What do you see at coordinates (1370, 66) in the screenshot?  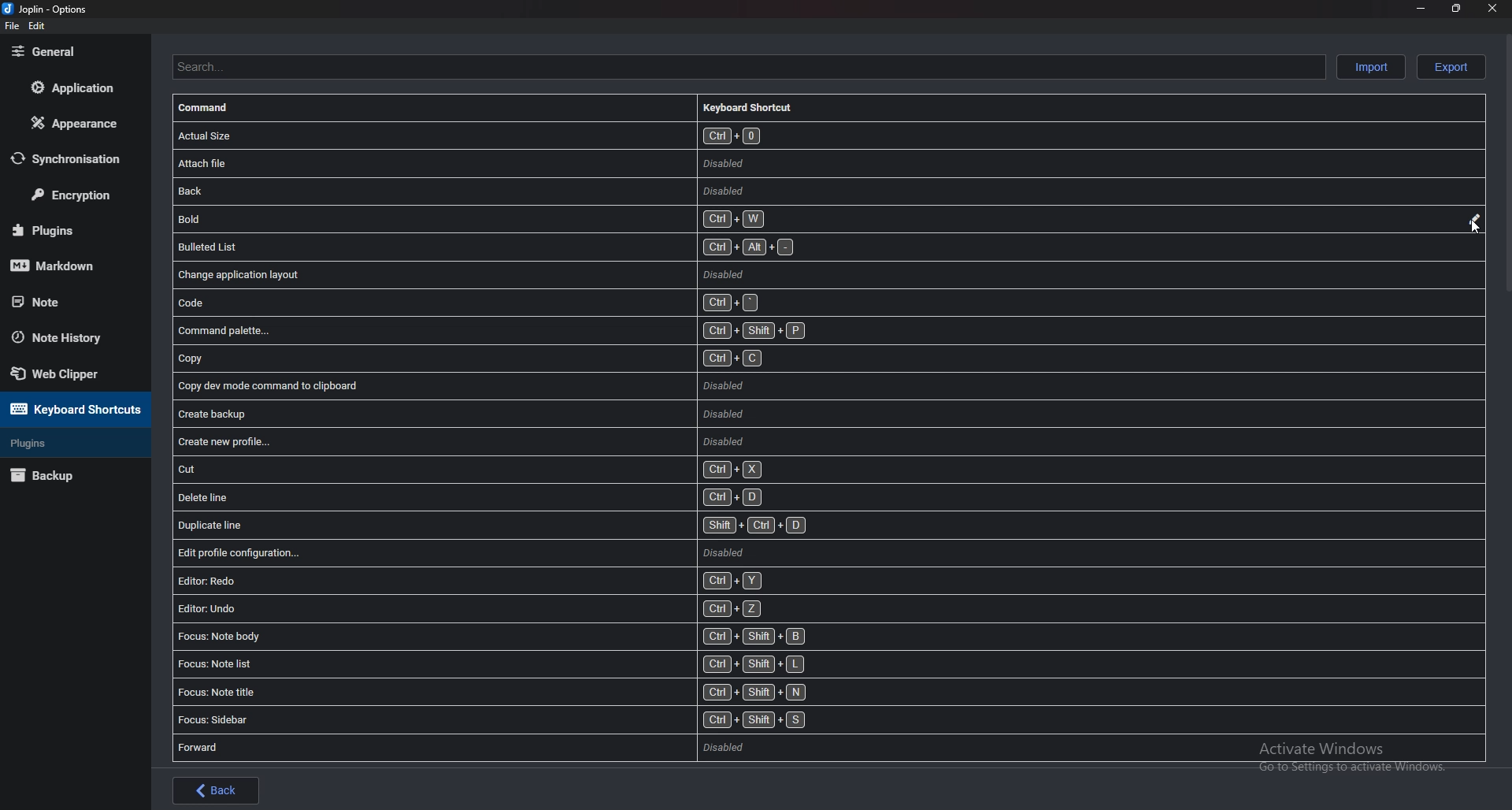 I see `Import` at bounding box center [1370, 66].